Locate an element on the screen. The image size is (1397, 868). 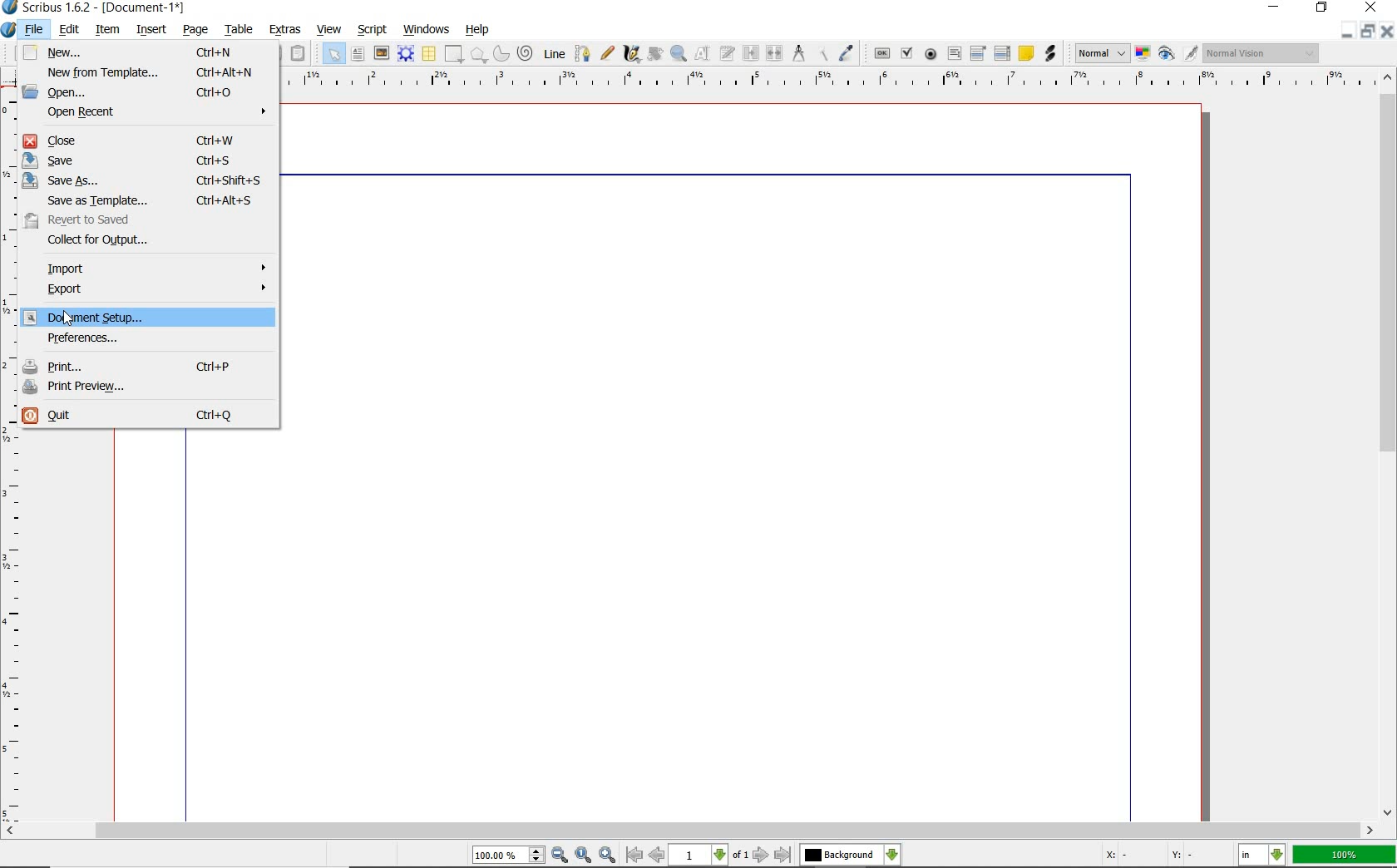
QUIT is located at coordinates (146, 417).